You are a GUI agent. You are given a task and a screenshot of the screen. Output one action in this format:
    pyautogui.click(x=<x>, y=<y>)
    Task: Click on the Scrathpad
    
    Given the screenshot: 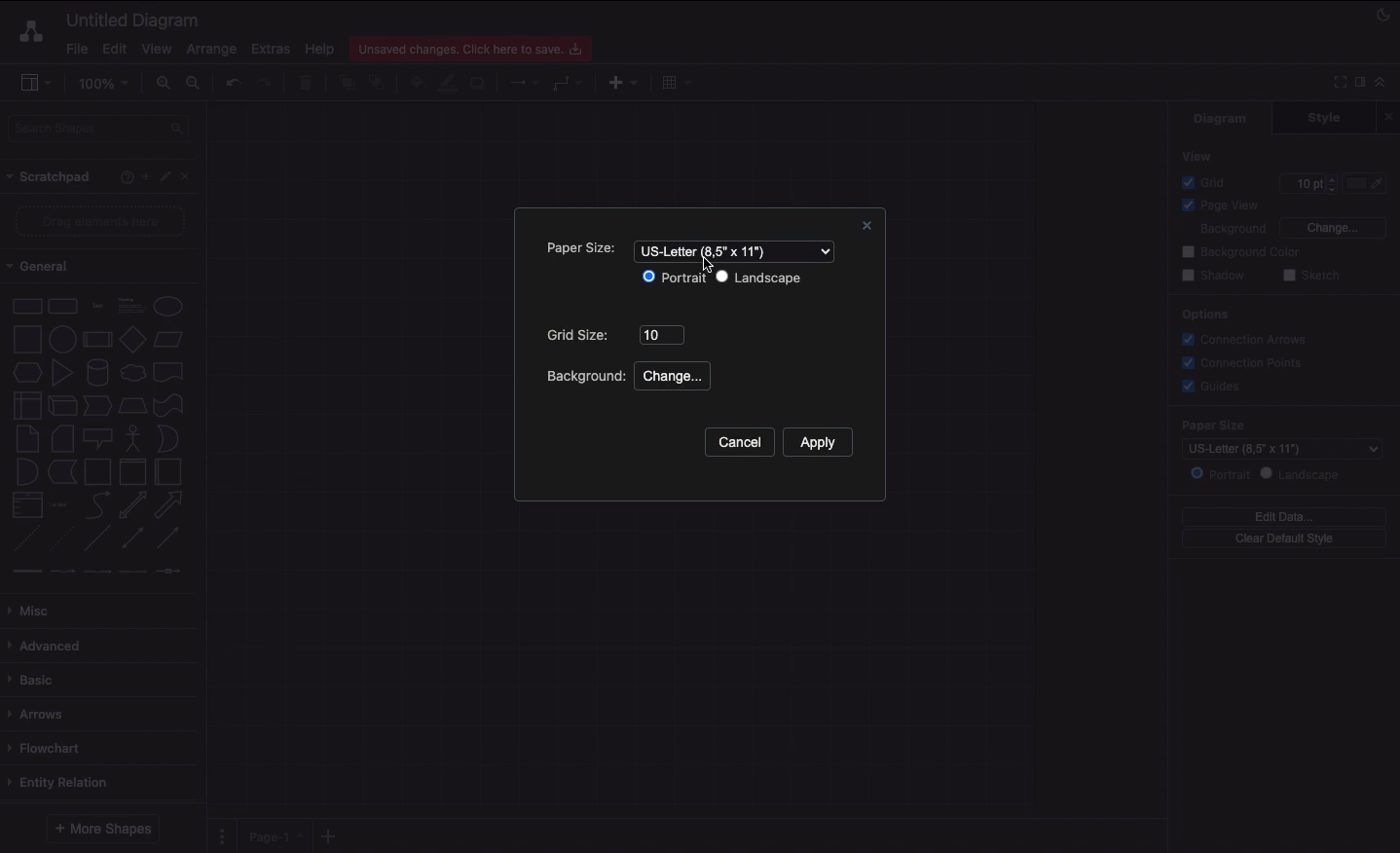 What is the action you would take?
    pyautogui.click(x=50, y=177)
    